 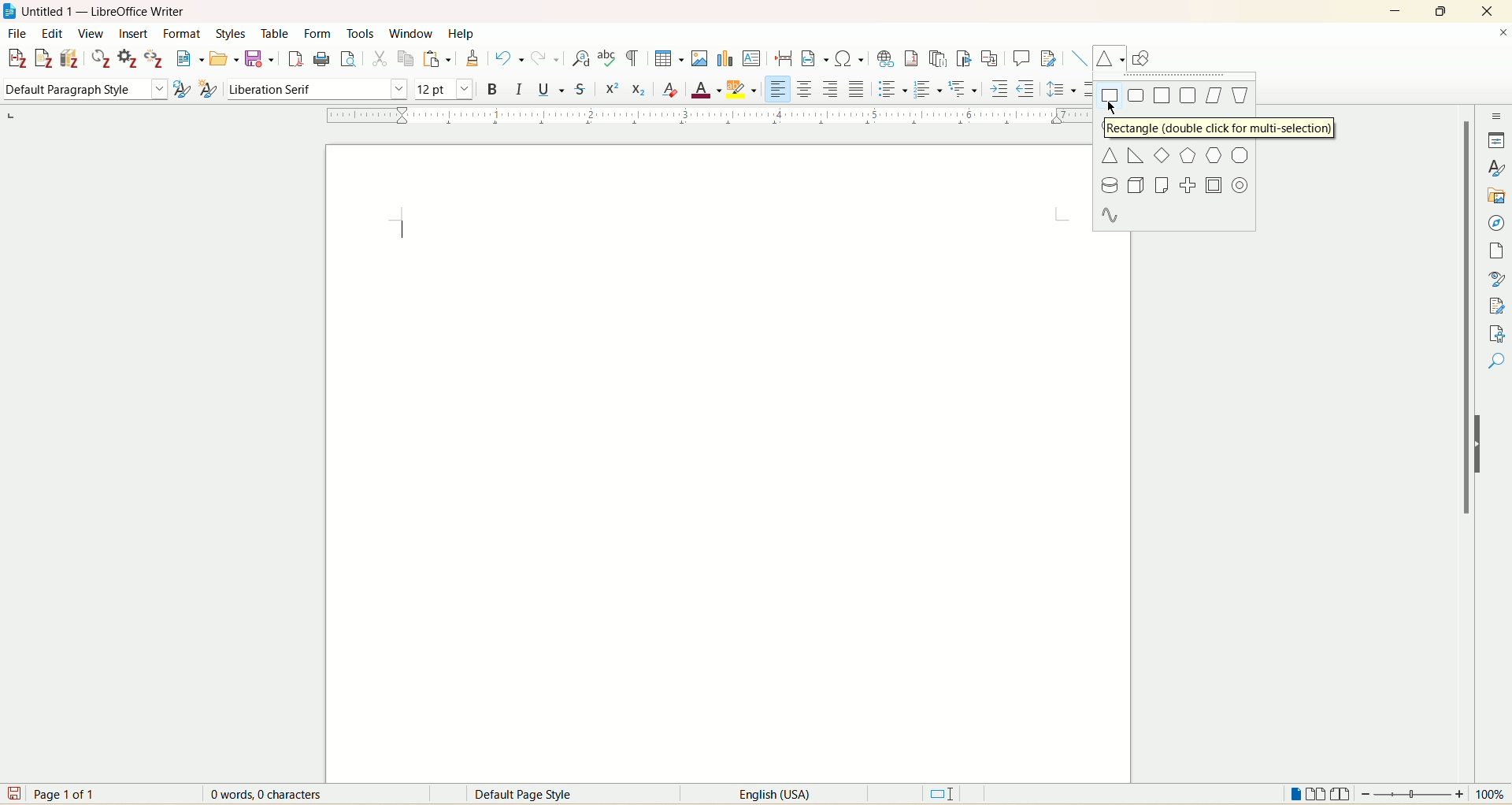 I want to click on insert text box, so click(x=752, y=57).